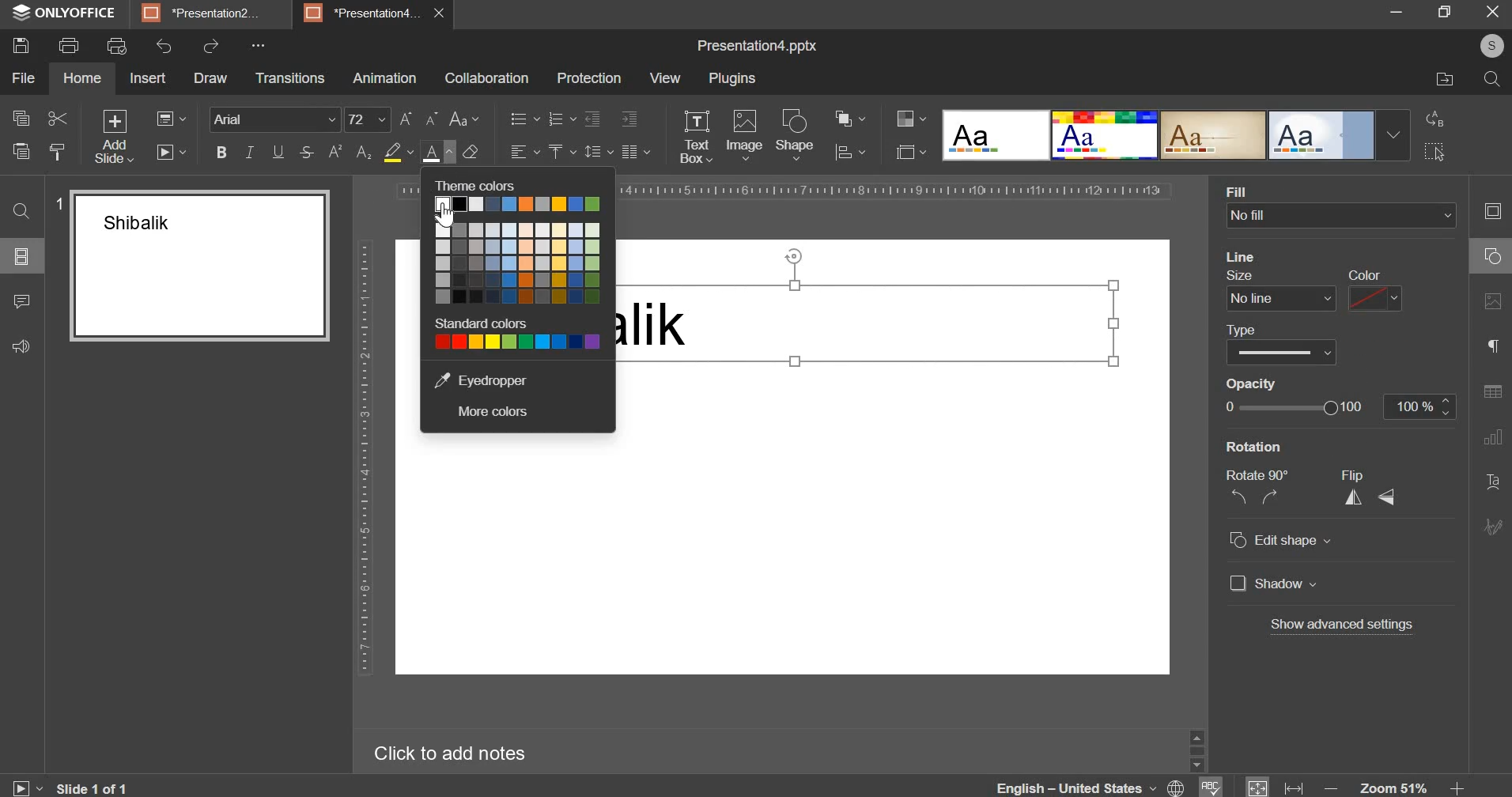  What do you see at coordinates (28, 784) in the screenshot?
I see `Play` at bounding box center [28, 784].